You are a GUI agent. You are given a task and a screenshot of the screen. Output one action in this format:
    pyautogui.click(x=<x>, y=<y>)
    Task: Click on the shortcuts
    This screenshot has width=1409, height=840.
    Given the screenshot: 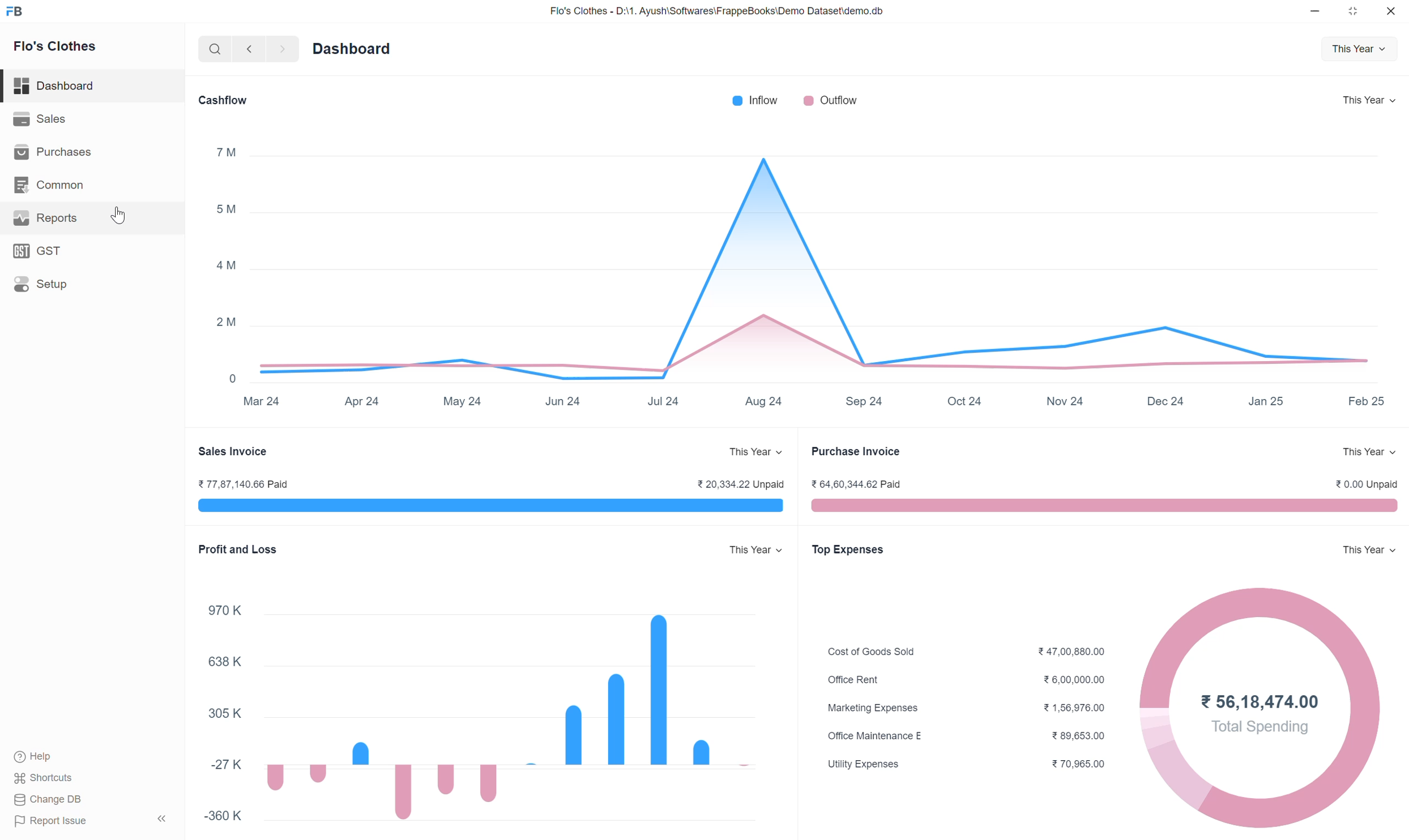 What is the action you would take?
    pyautogui.click(x=49, y=777)
    